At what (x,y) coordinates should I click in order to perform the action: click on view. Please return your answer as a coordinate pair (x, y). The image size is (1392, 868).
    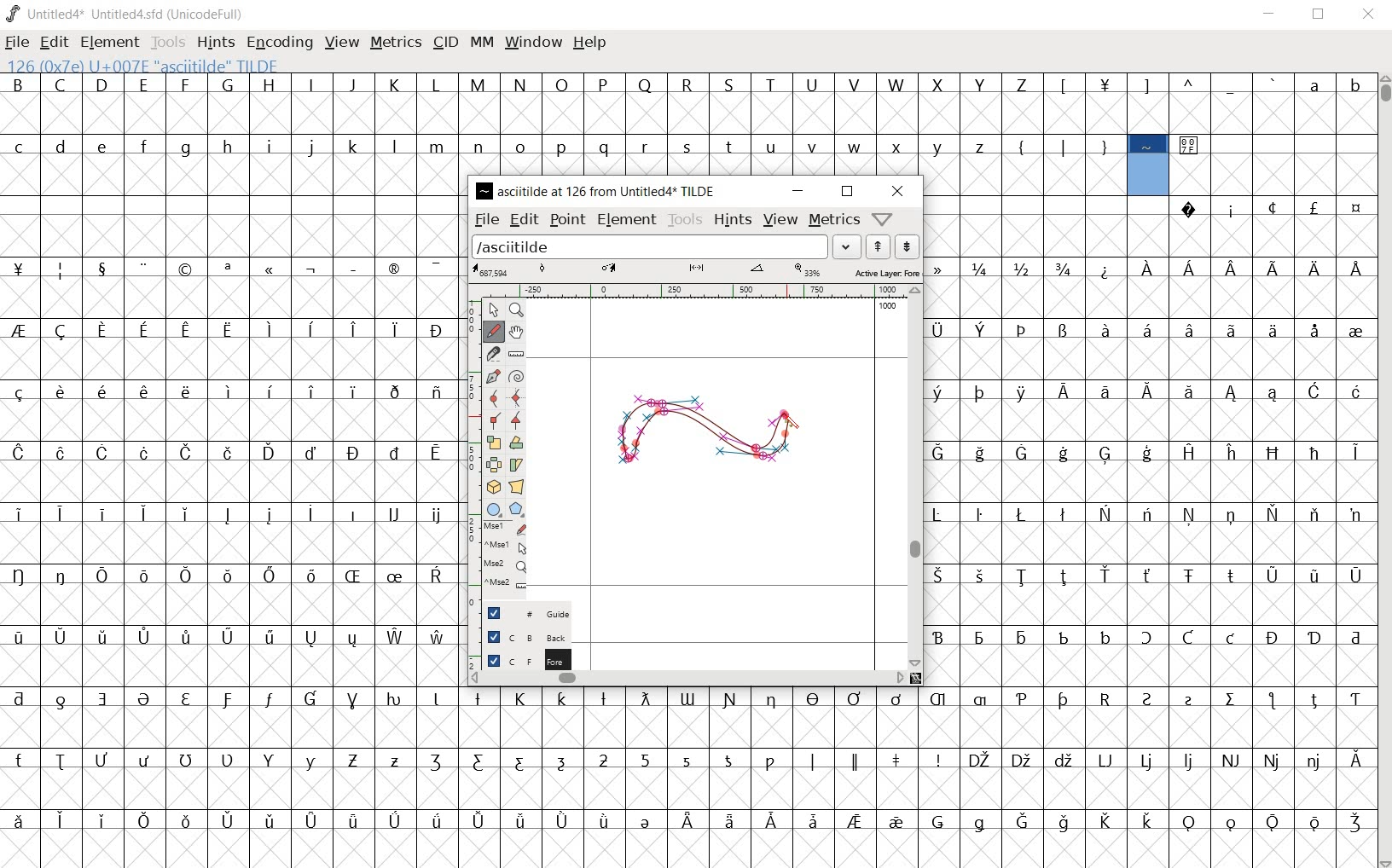
    Looking at the image, I should click on (779, 219).